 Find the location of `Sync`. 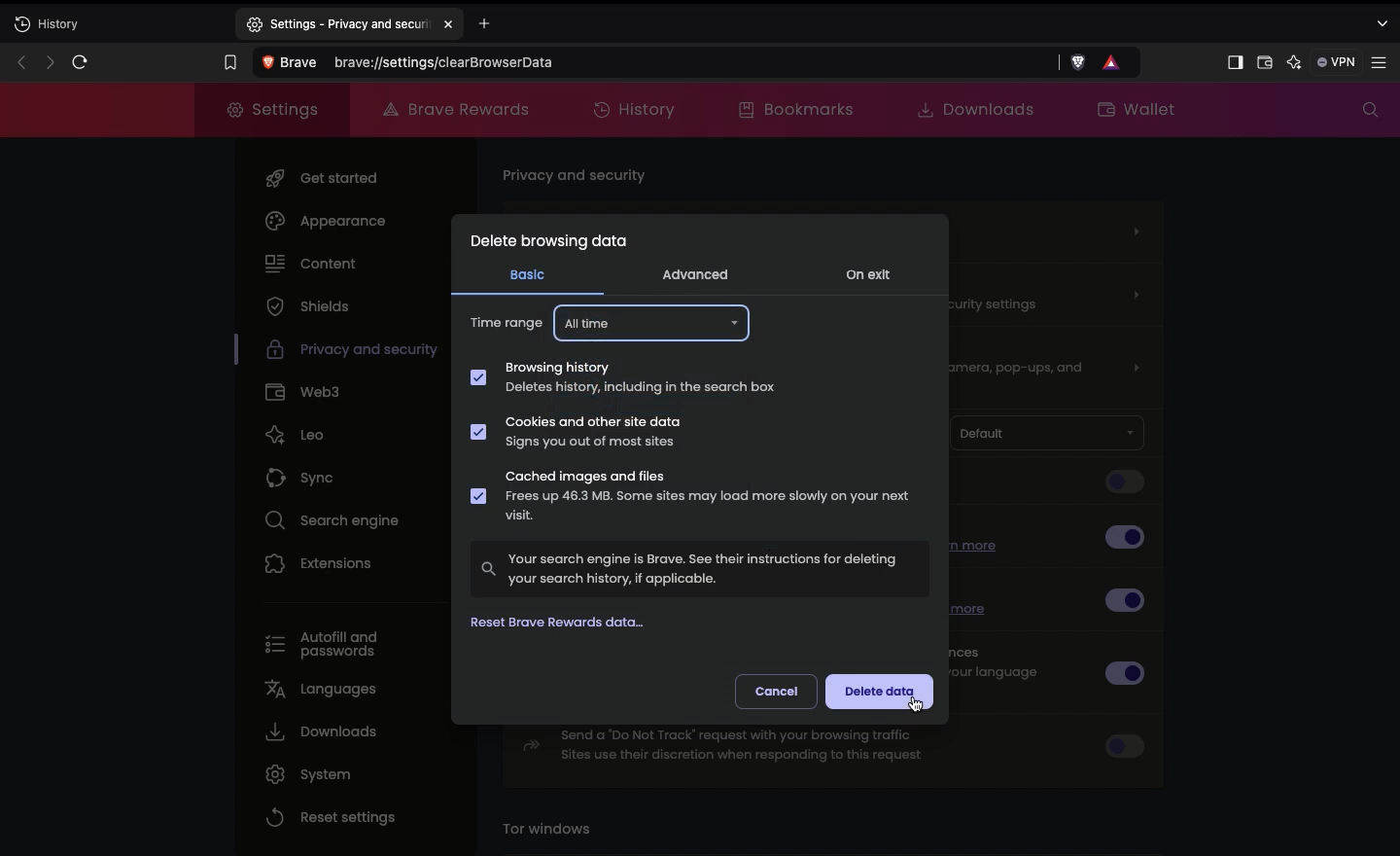

Sync is located at coordinates (317, 480).